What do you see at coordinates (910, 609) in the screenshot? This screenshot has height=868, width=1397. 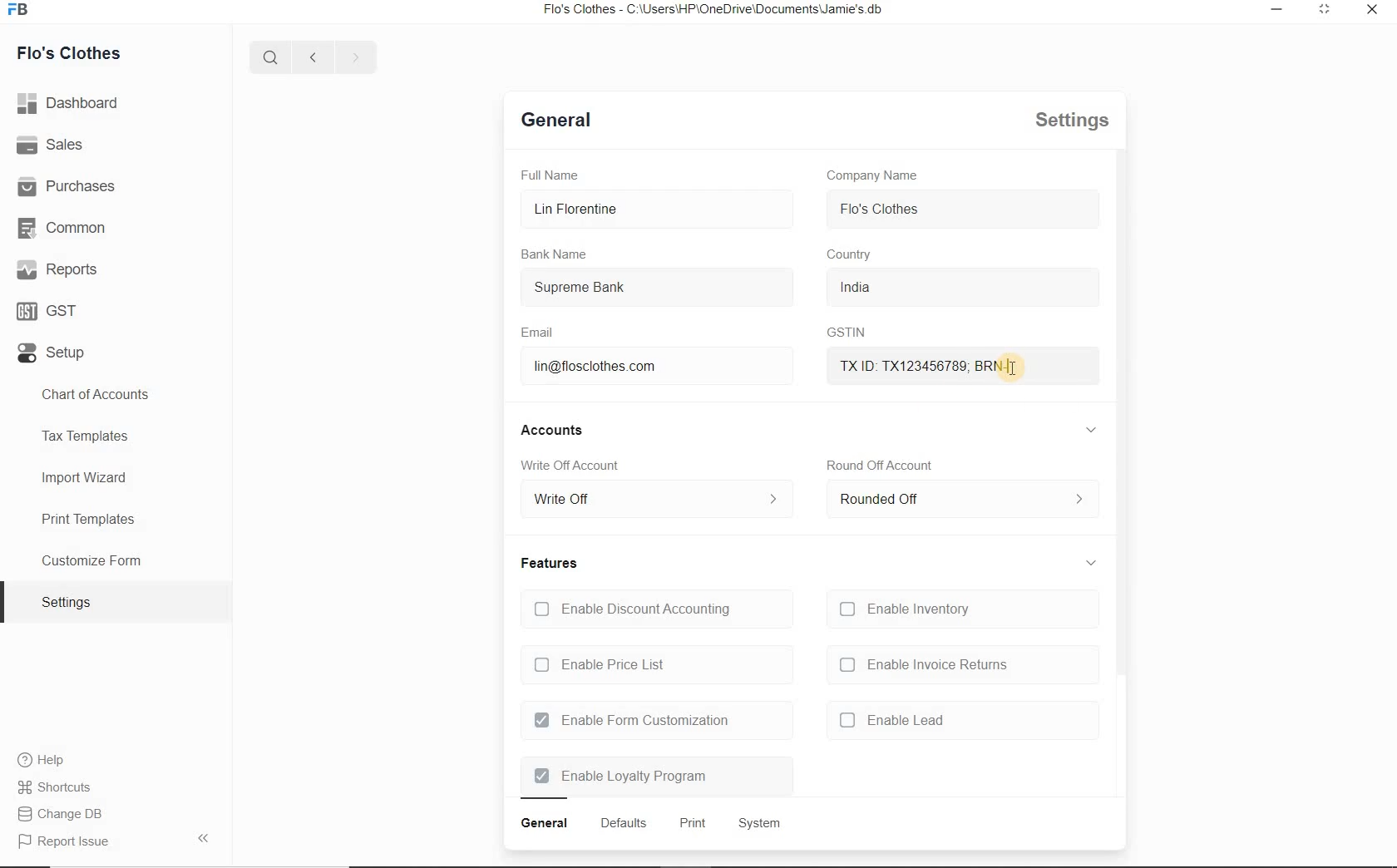 I see `Enable Inventory` at bounding box center [910, 609].